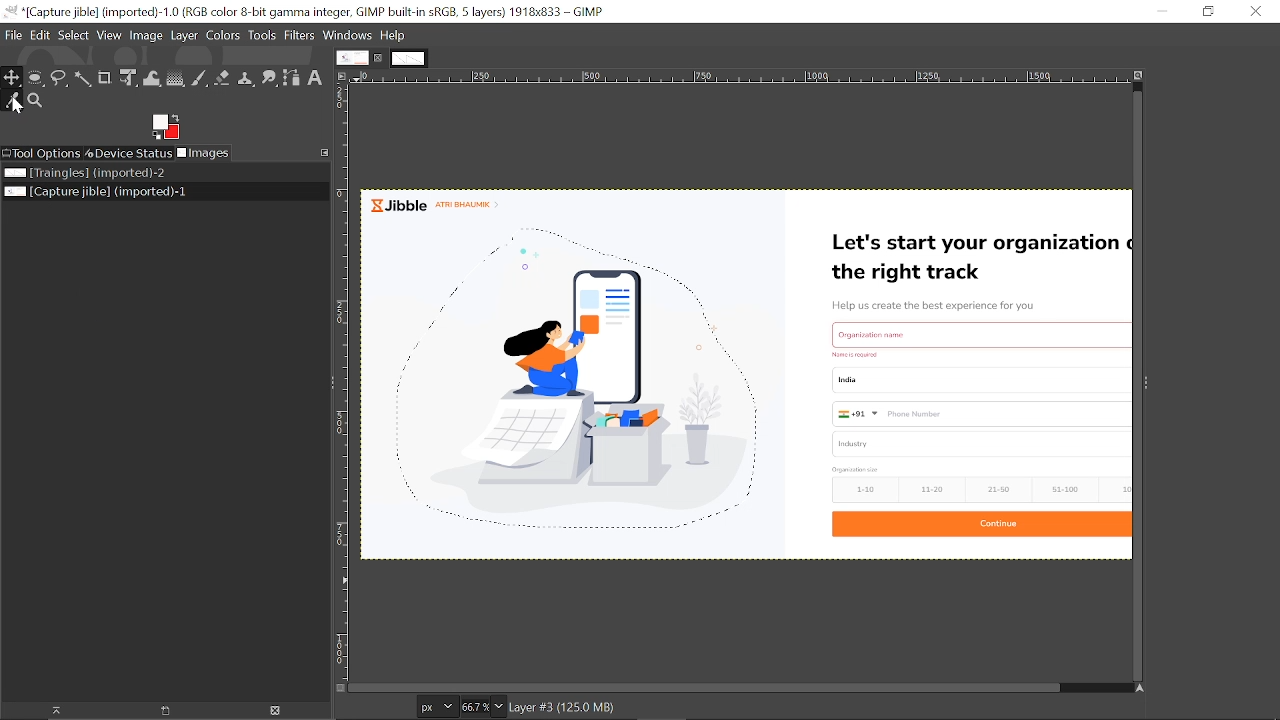 The height and width of the screenshot is (720, 1280). What do you see at coordinates (409, 57) in the screenshot?
I see `Other tab` at bounding box center [409, 57].